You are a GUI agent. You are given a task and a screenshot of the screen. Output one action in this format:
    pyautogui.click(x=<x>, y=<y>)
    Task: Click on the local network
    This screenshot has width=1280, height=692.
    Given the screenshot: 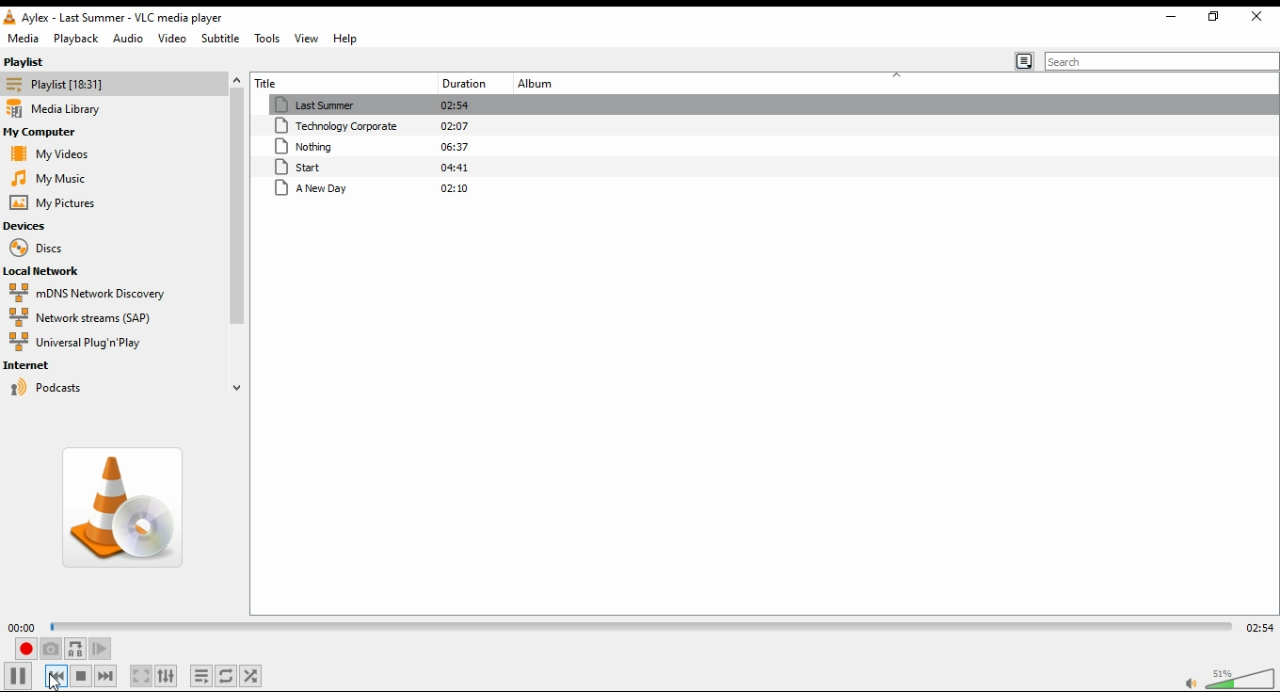 What is the action you would take?
    pyautogui.click(x=51, y=272)
    